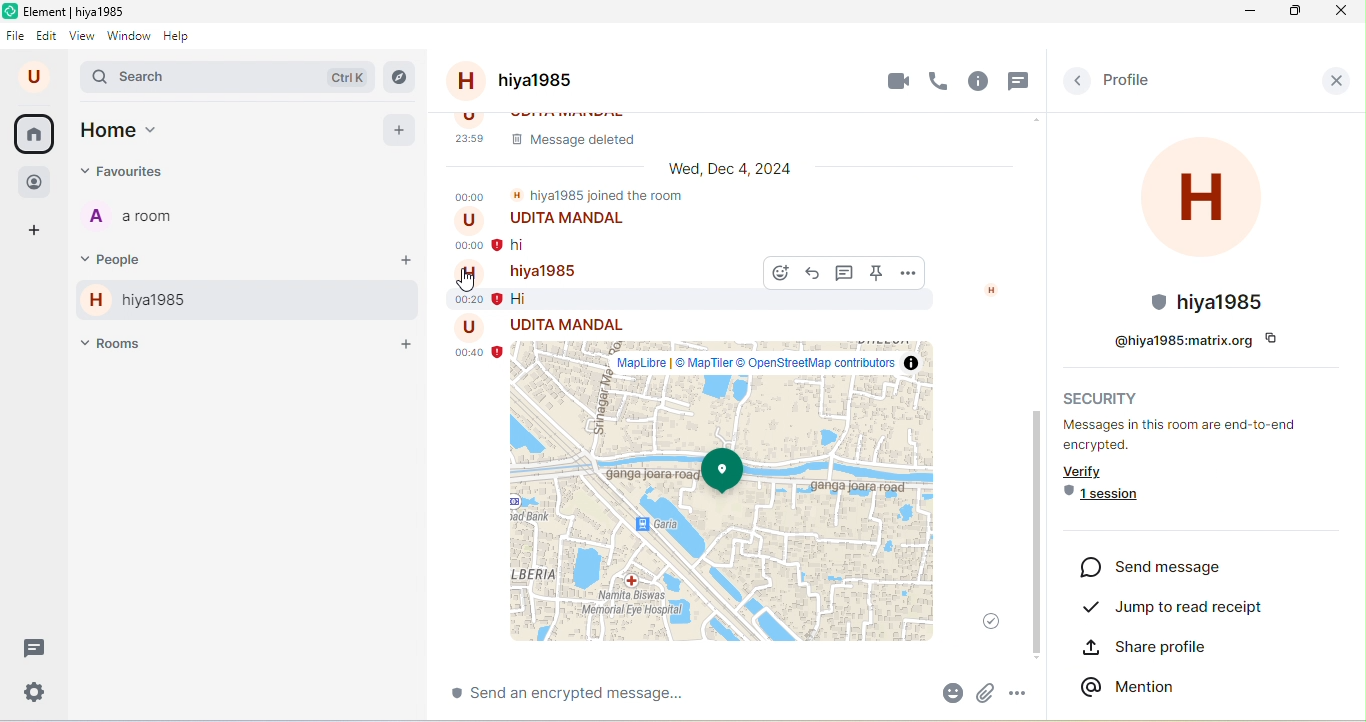  Describe the element at coordinates (134, 301) in the screenshot. I see `hiya 1985` at that location.